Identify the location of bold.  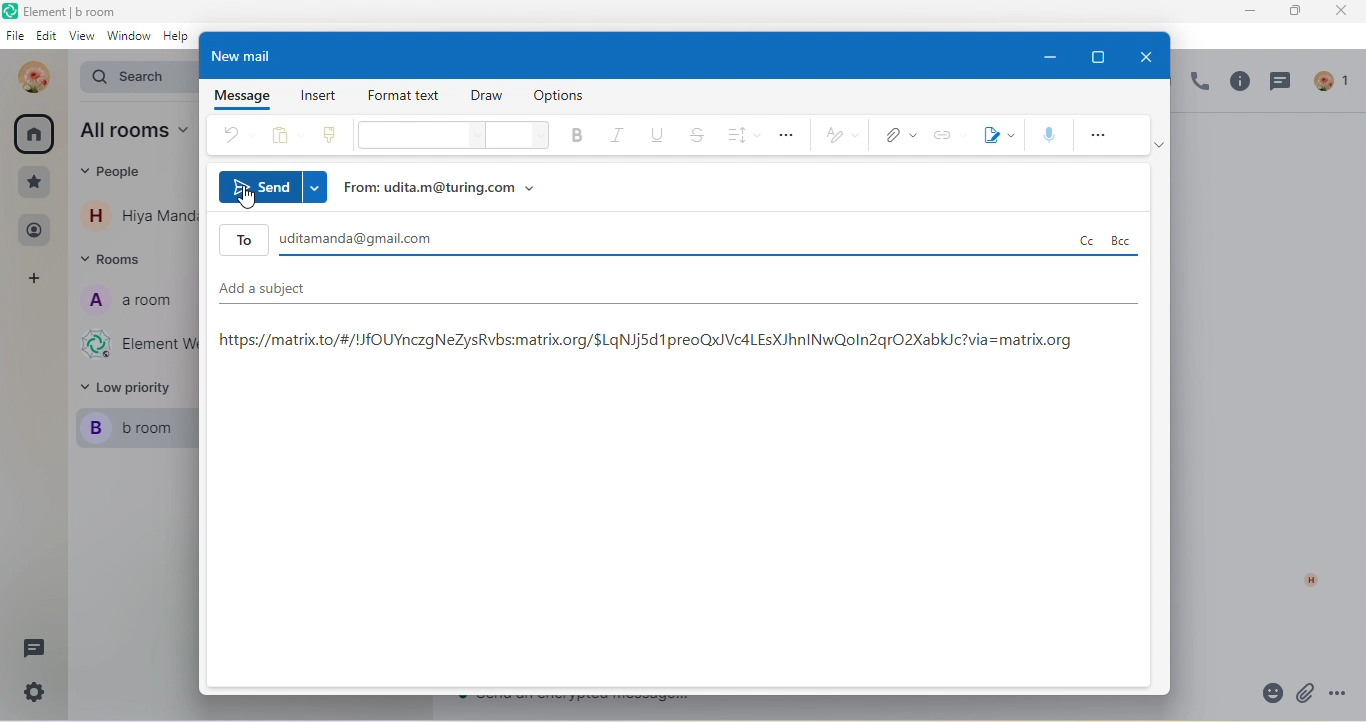
(572, 138).